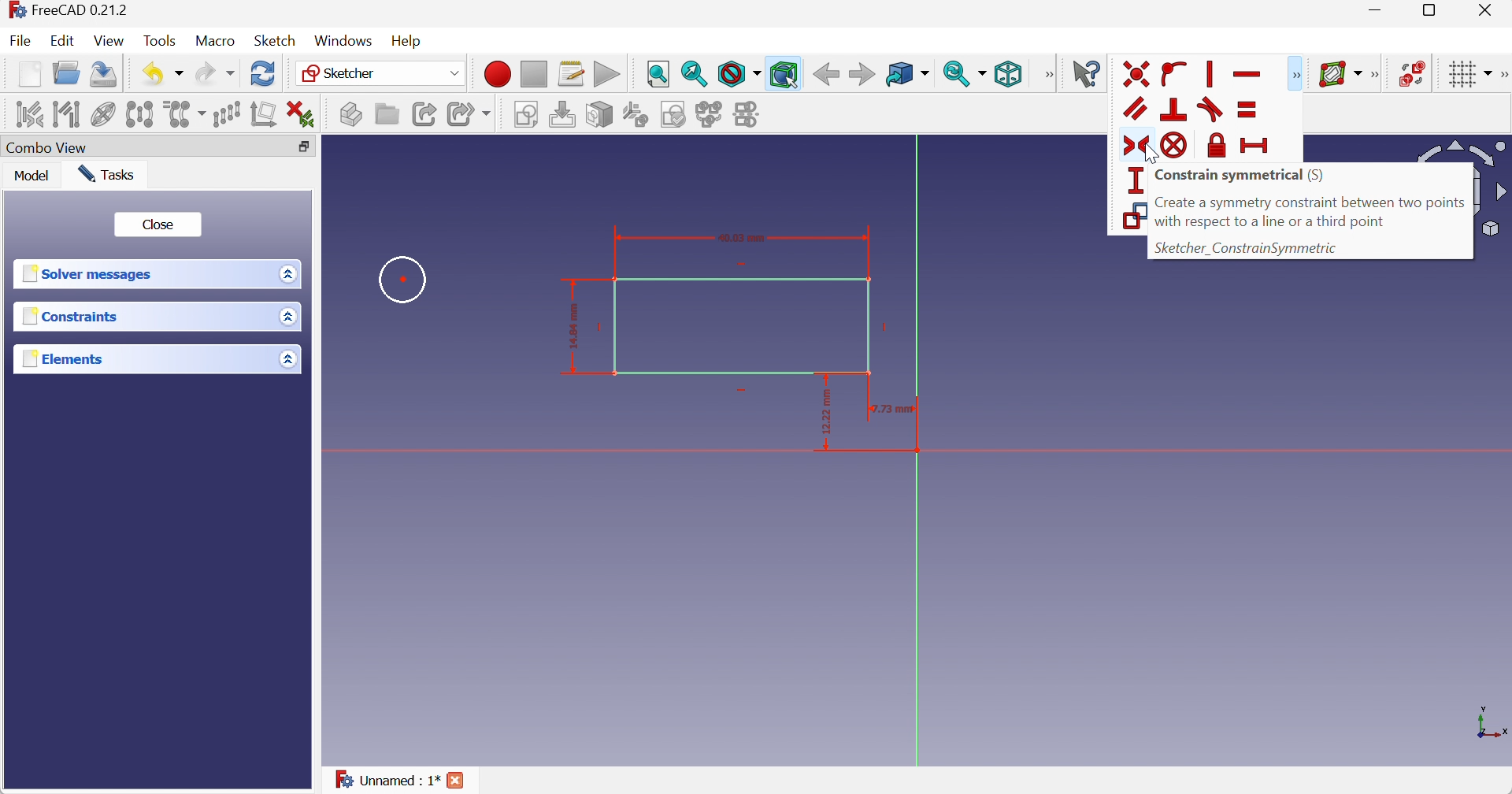  I want to click on Open..., so click(66, 72).